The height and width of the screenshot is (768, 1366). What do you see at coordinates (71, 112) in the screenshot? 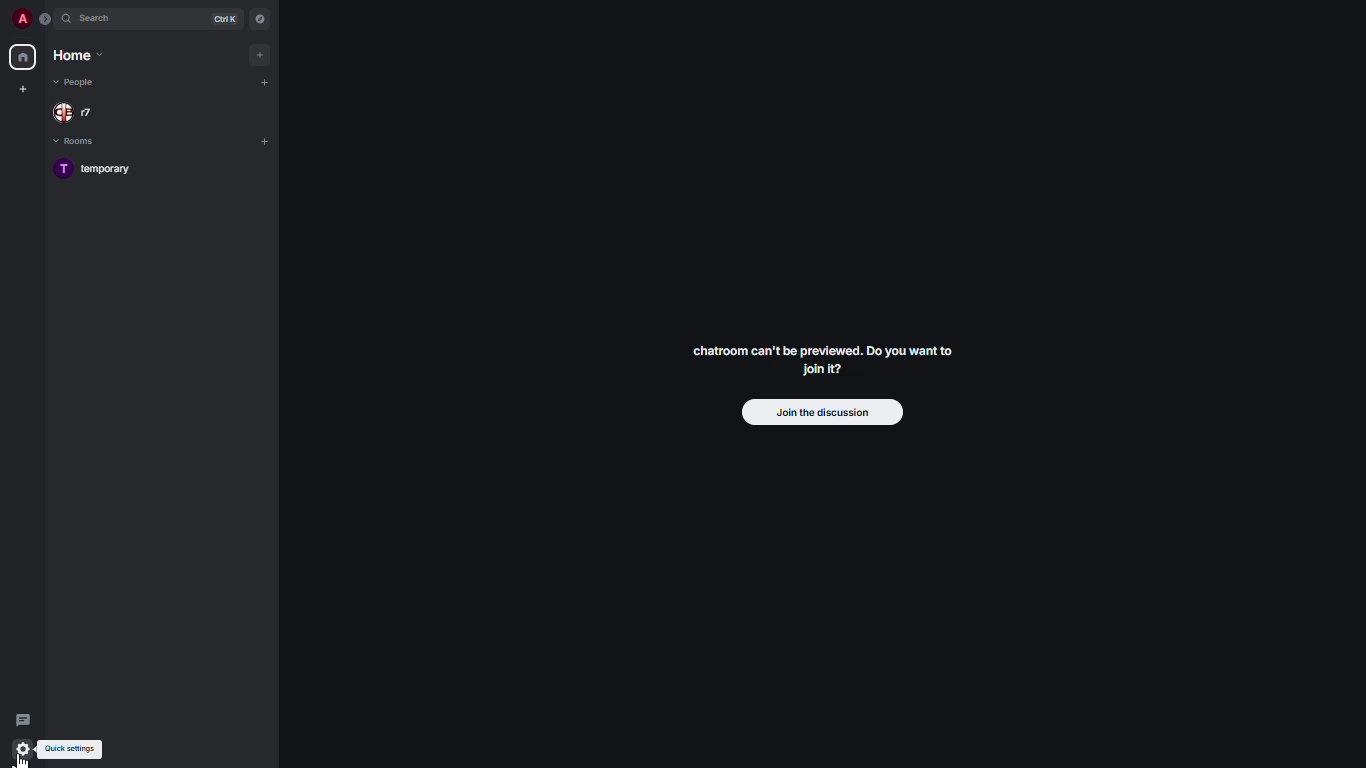
I see `people` at bounding box center [71, 112].